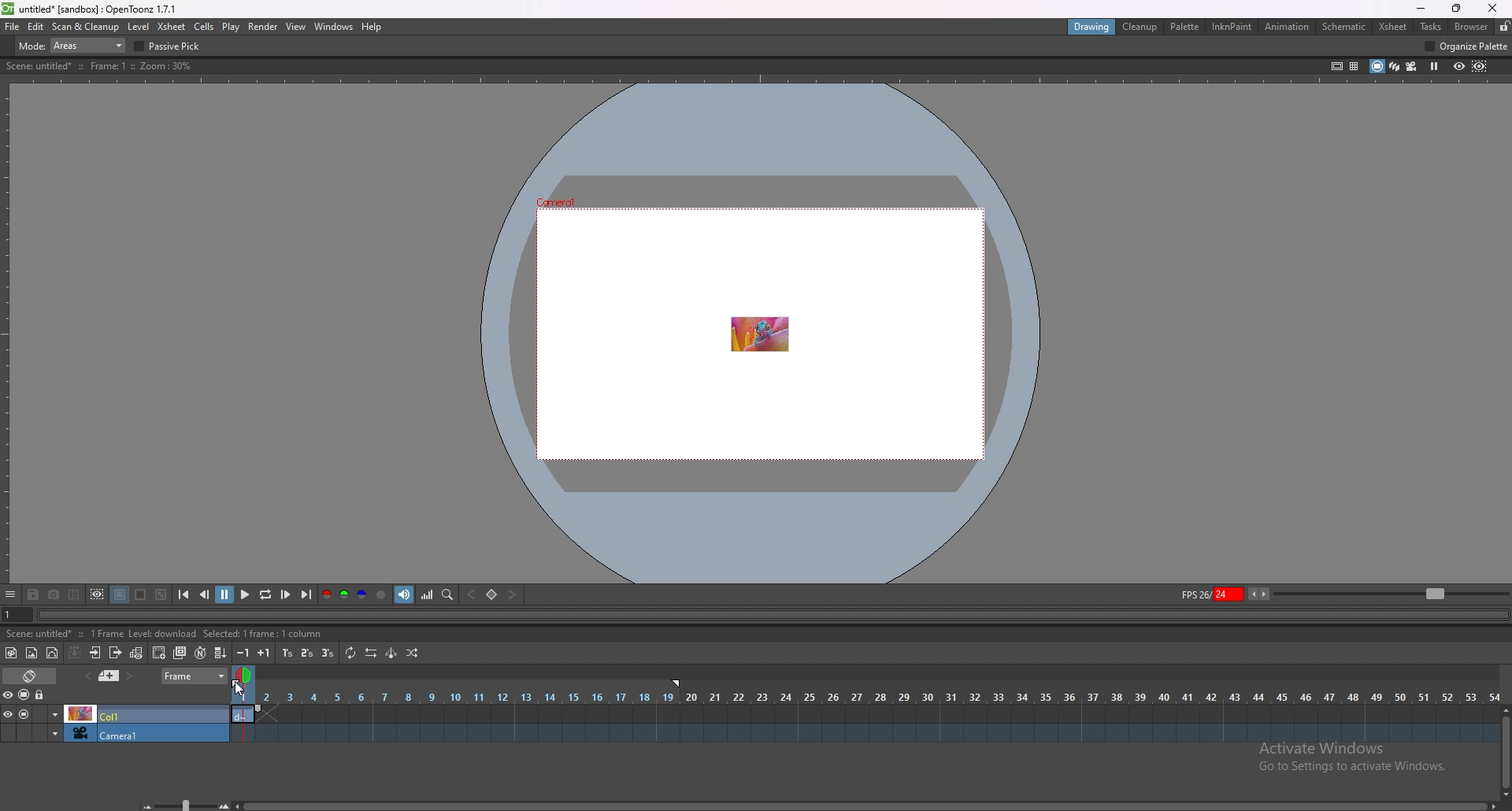 The height and width of the screenshot is (811, 1512). Describe the element at coordinates (54, 595) in the screenshot. I see `snapshot` at that location.